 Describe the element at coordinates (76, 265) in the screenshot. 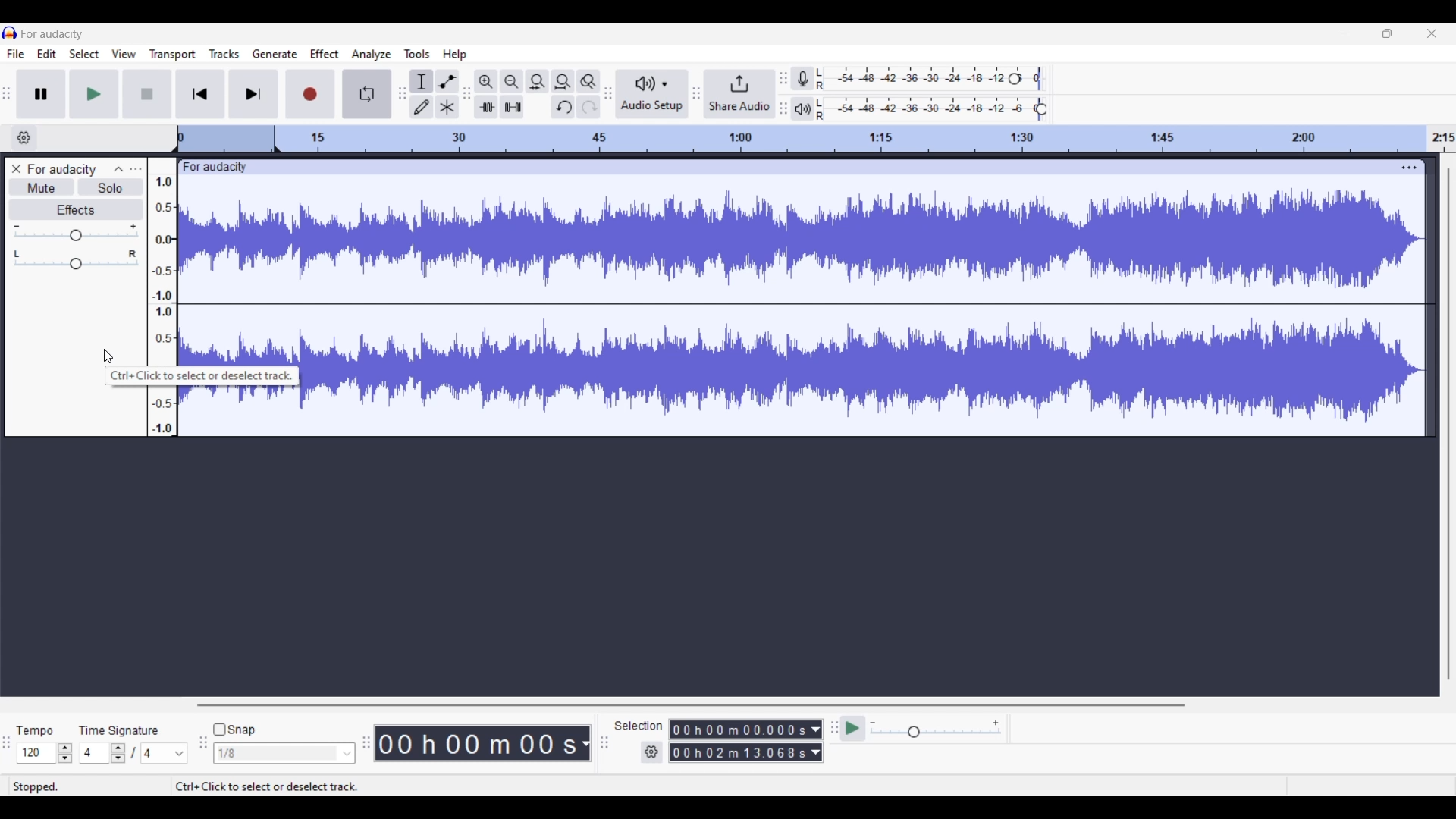

I see `Change pan` at that location.